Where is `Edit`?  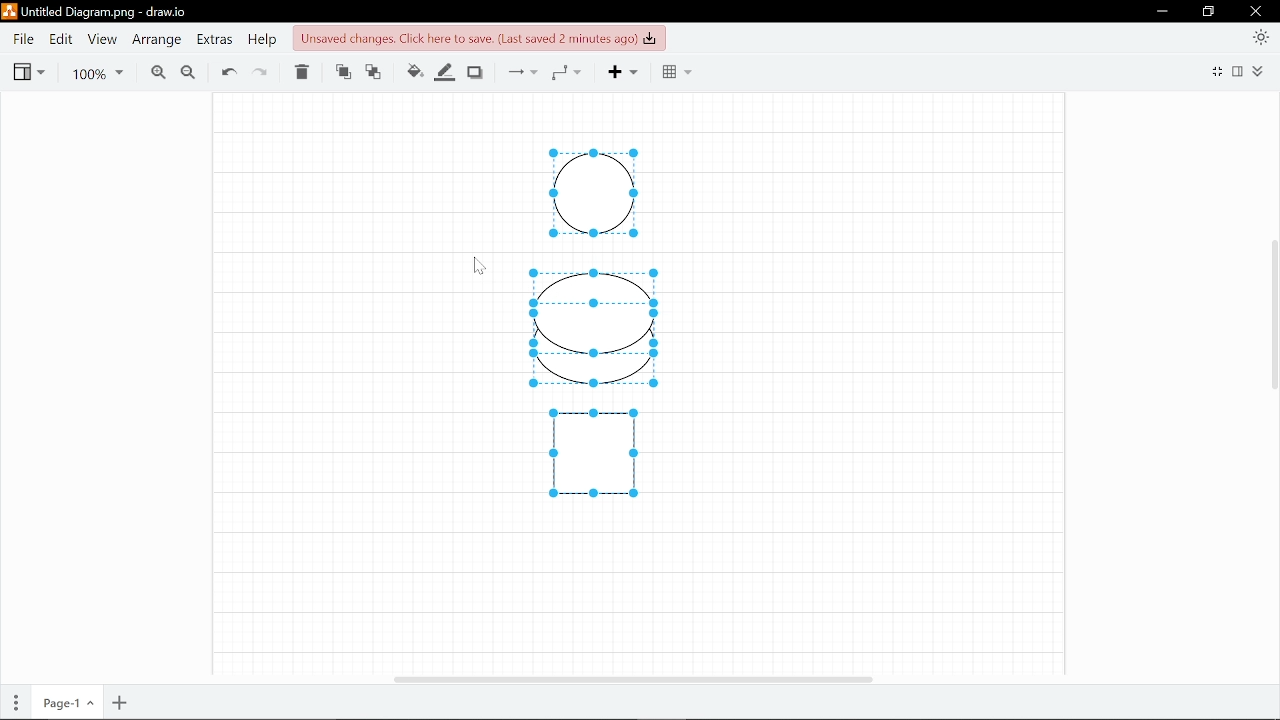 Edit is located at coordinates (59, 39).